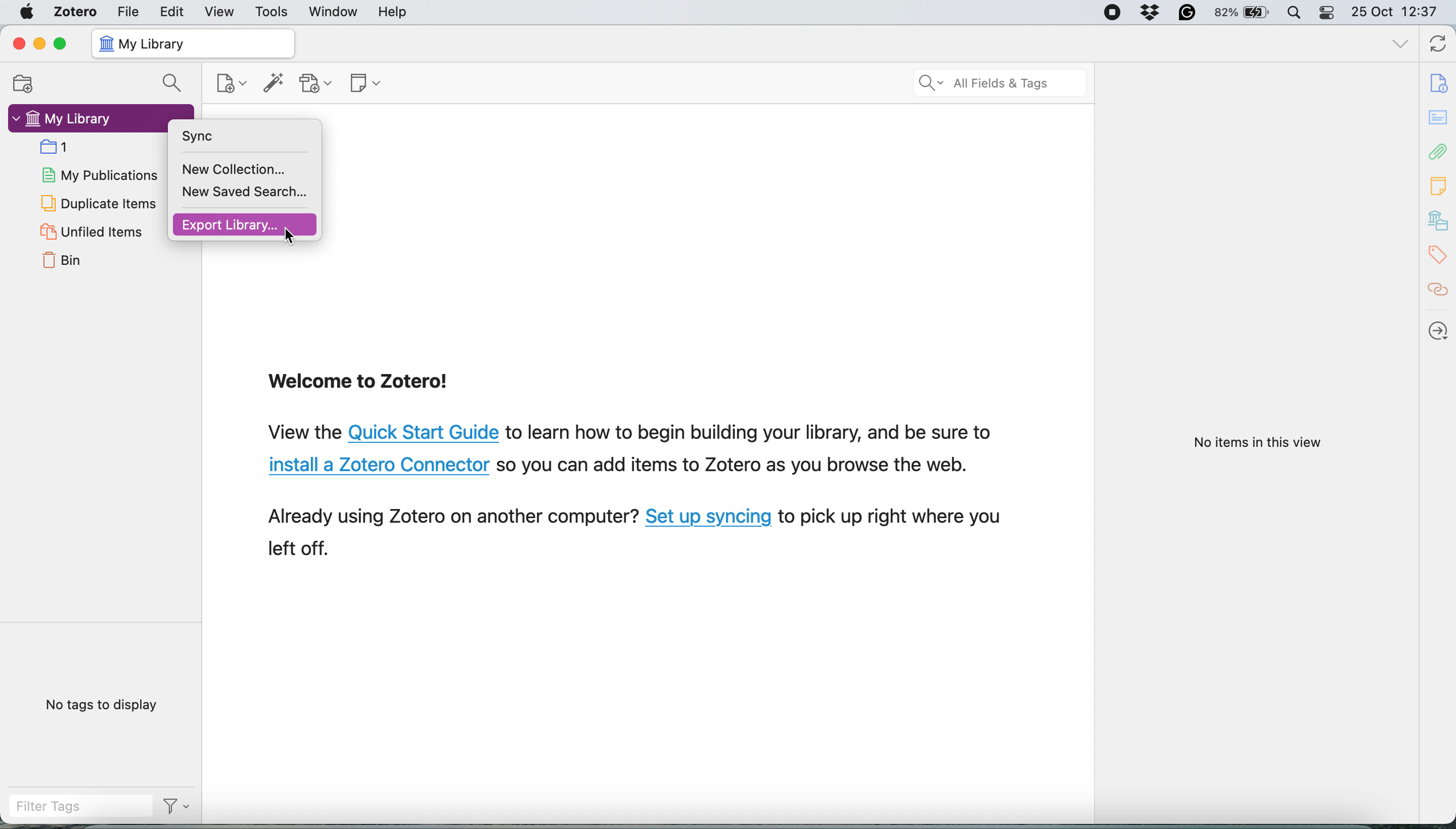  I want to click on spotlight search, so click(1295, 13).